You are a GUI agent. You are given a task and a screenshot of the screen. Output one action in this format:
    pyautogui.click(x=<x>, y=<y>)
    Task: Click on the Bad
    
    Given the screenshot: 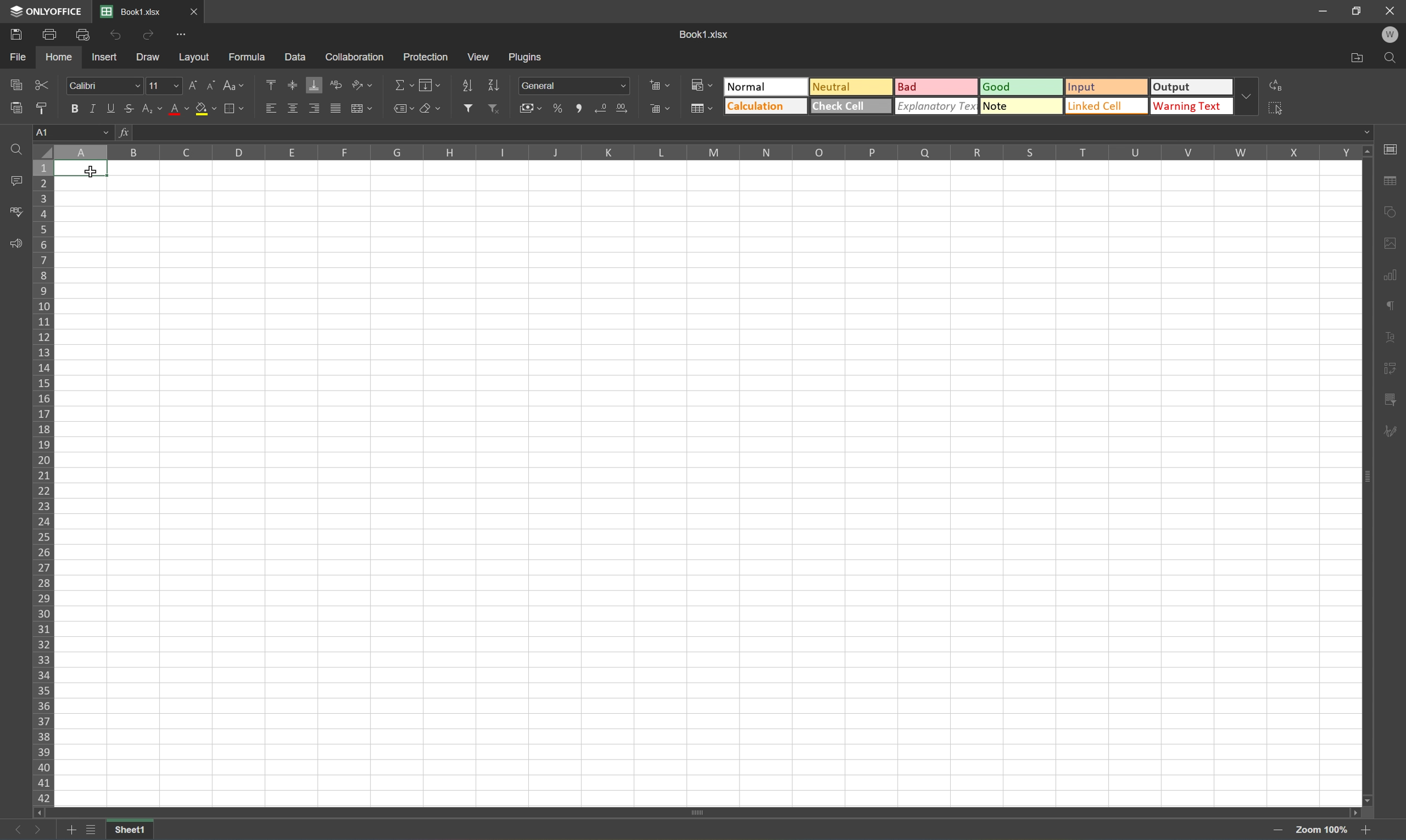 What is the action you would take?
    pyautogui.click(x=937, y=88)
    